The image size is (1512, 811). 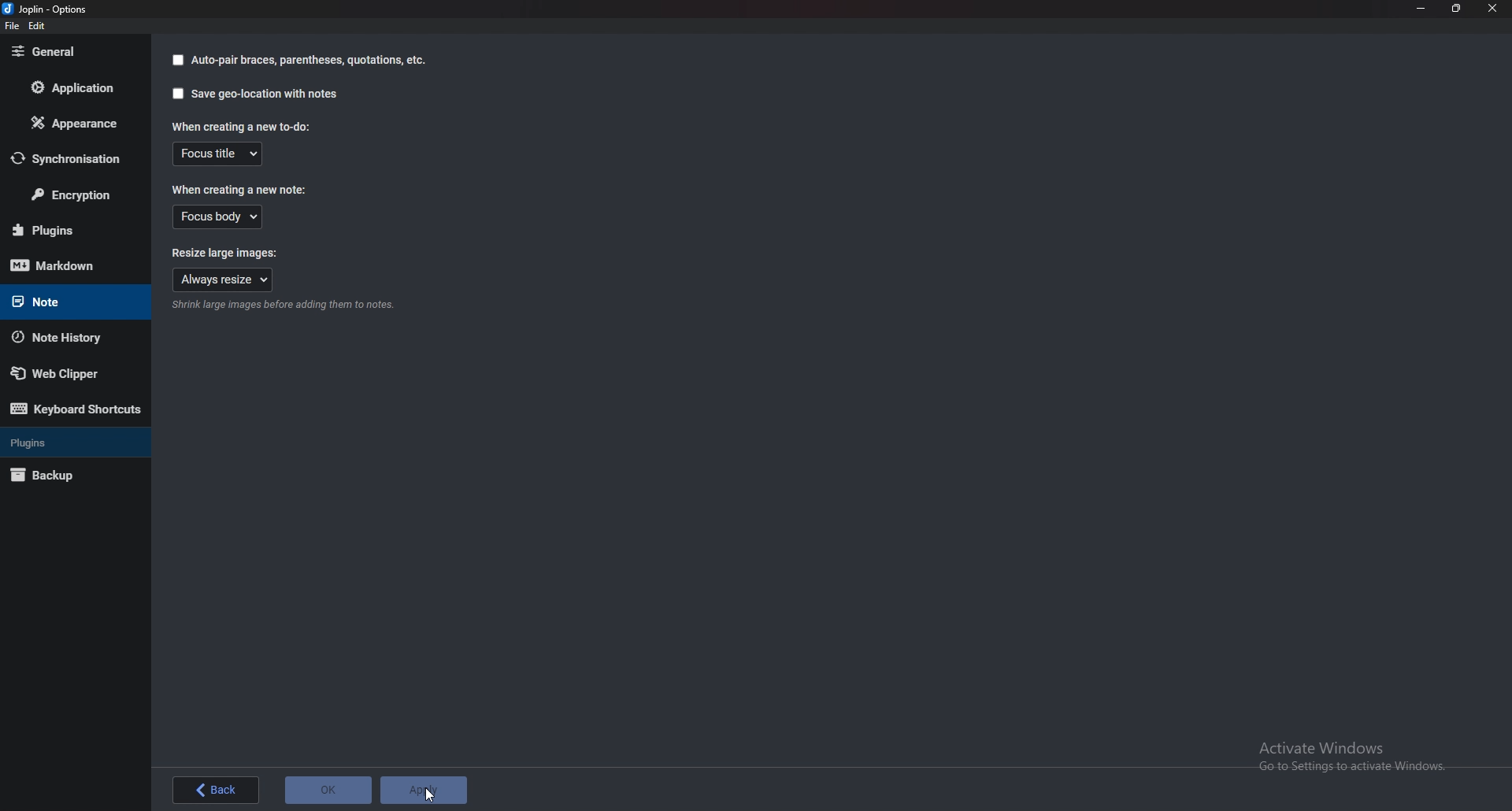 I want to click on Keyboard shortcuts, so click(x=76, y=409).